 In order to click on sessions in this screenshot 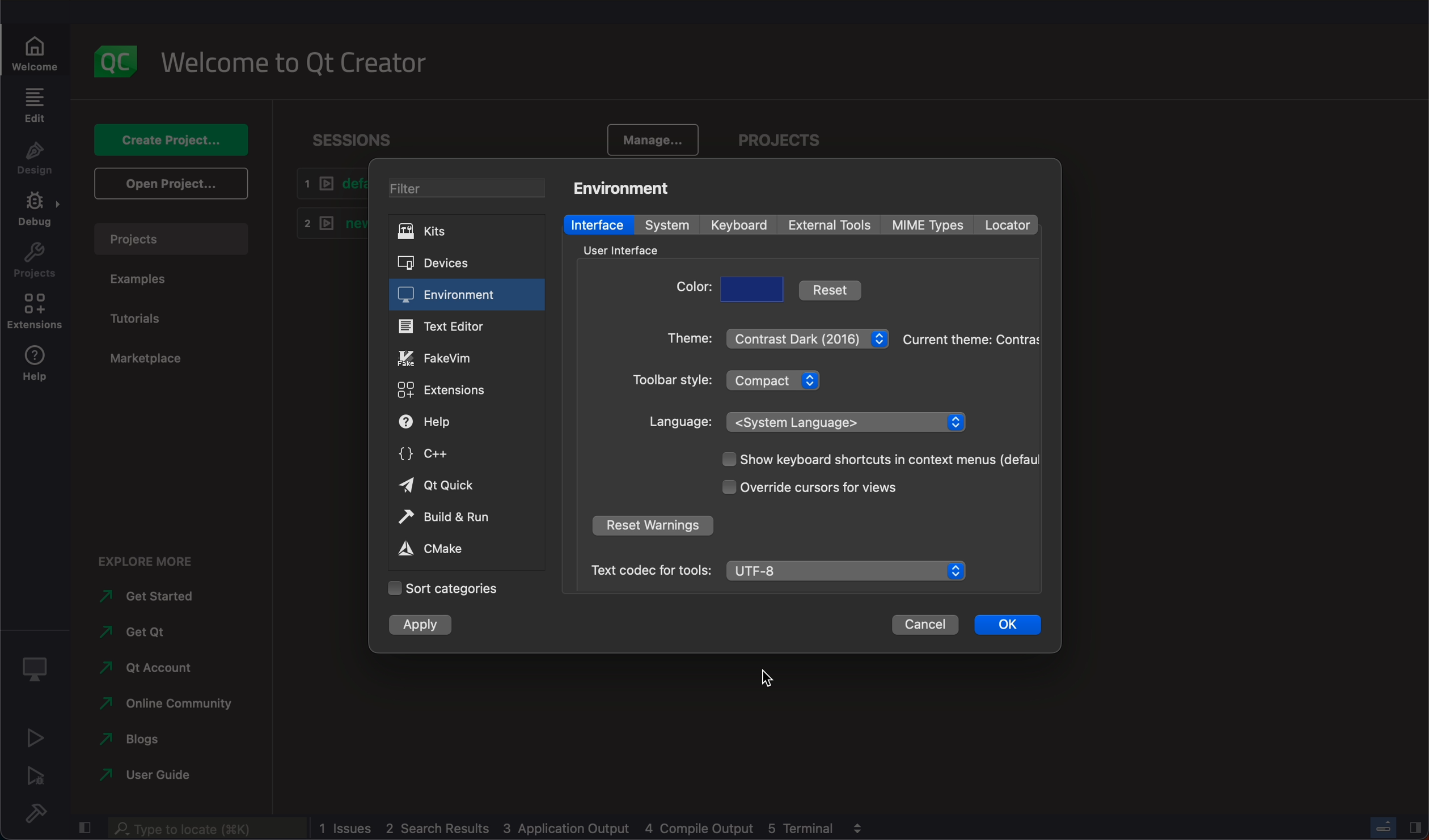, I will do `click(352, 134)`.